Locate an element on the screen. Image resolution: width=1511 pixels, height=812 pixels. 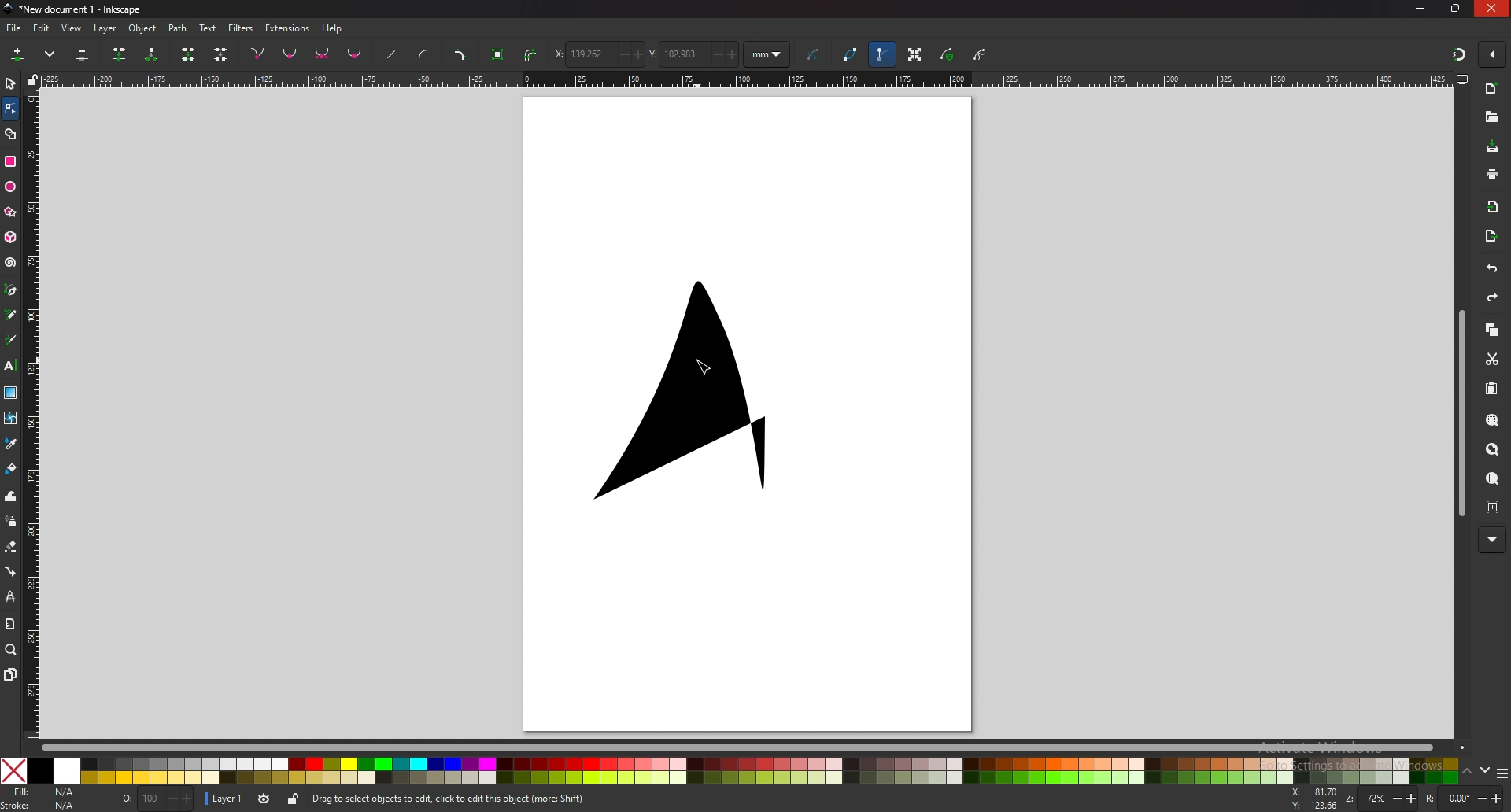
minimize is located at coordinates (1420, 9).